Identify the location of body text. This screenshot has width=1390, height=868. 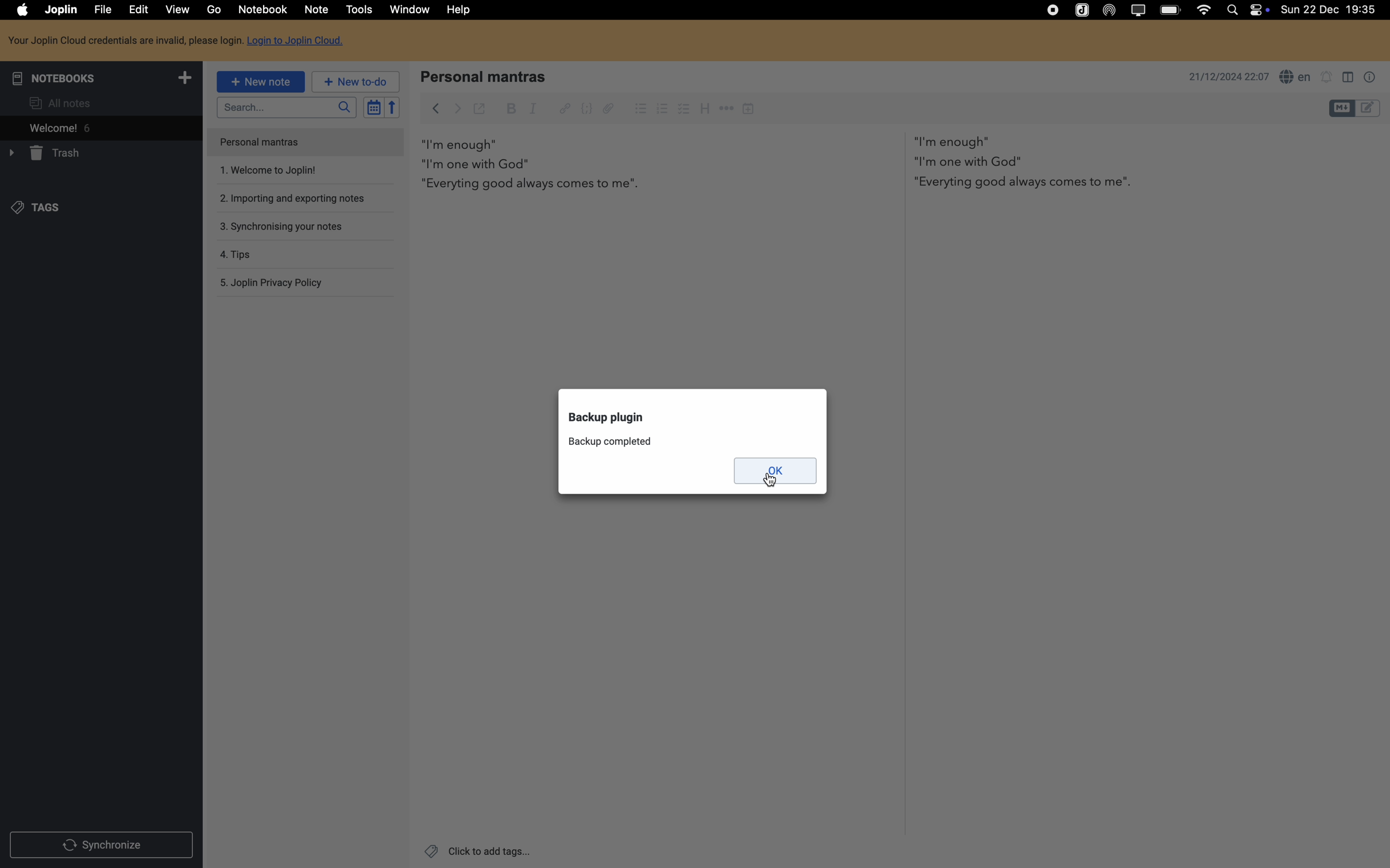
(778, 161).